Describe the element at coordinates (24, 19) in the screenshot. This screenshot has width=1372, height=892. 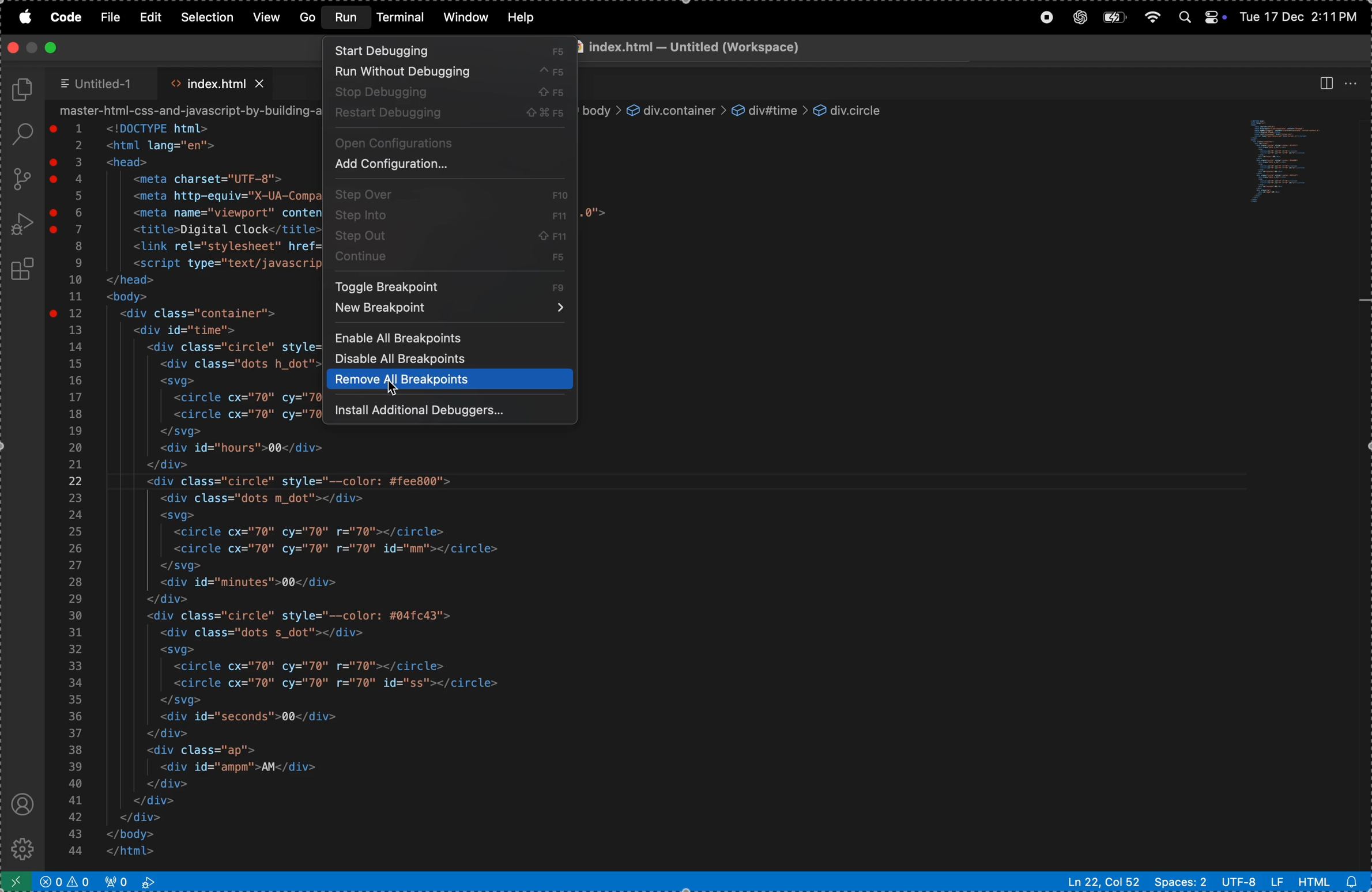
I see `apple menu` at that location.